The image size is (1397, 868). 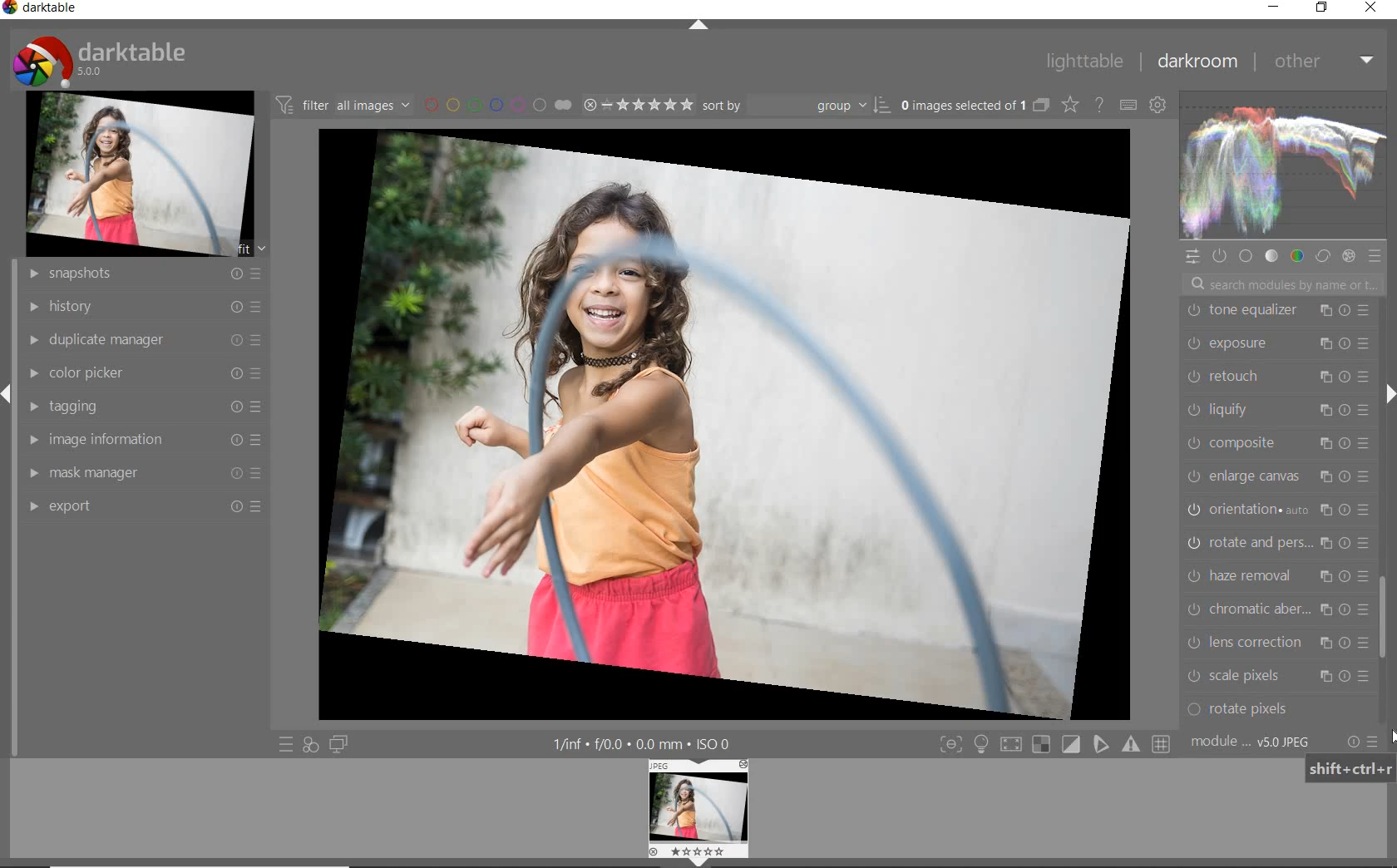 What do you see at coordinates (309, 743) in the screenshot?
I see `quick access for applying of your style` at bounding box center [309, 743].